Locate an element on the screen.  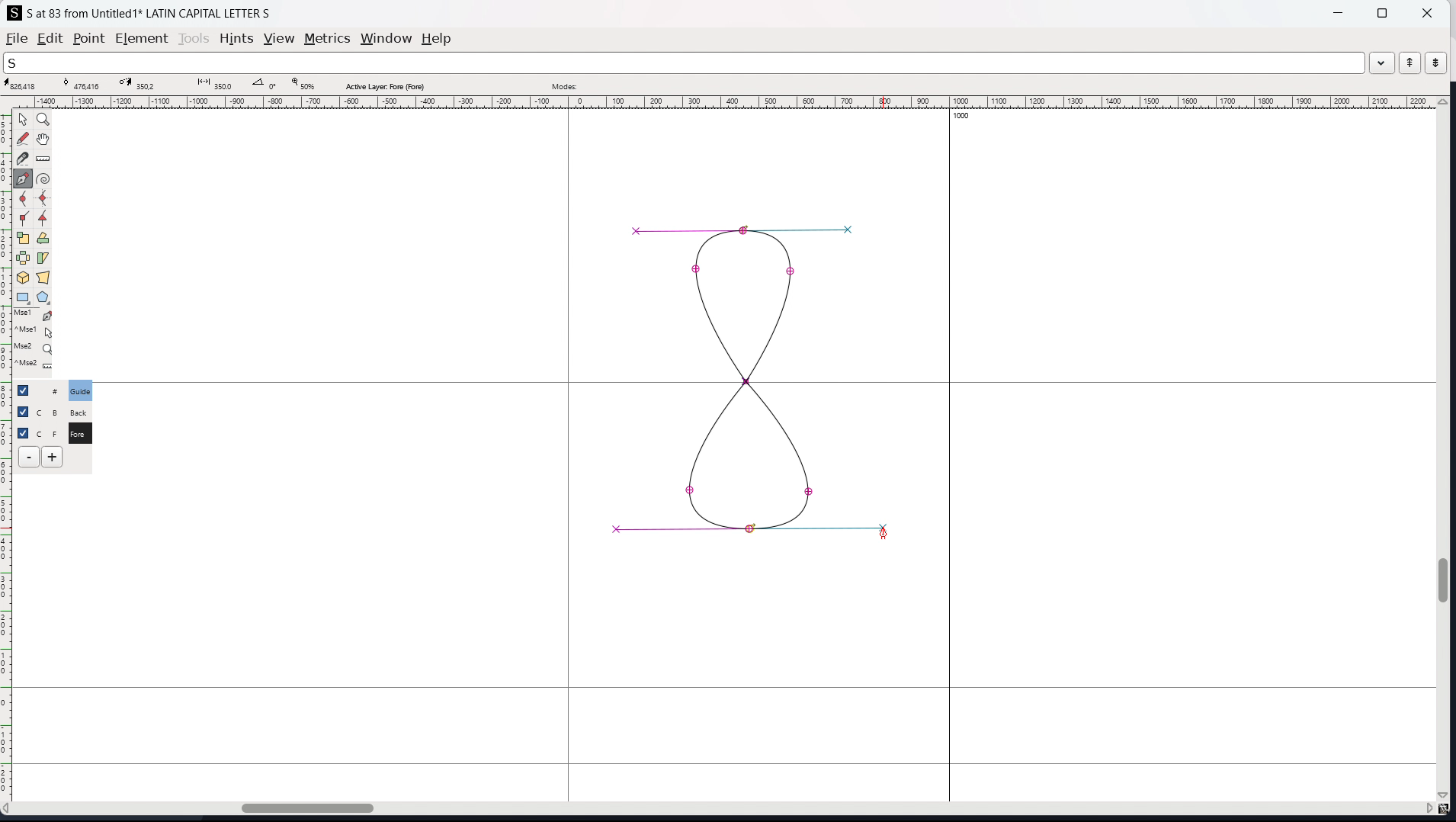
delete layer is located at coordinates (29, 458).